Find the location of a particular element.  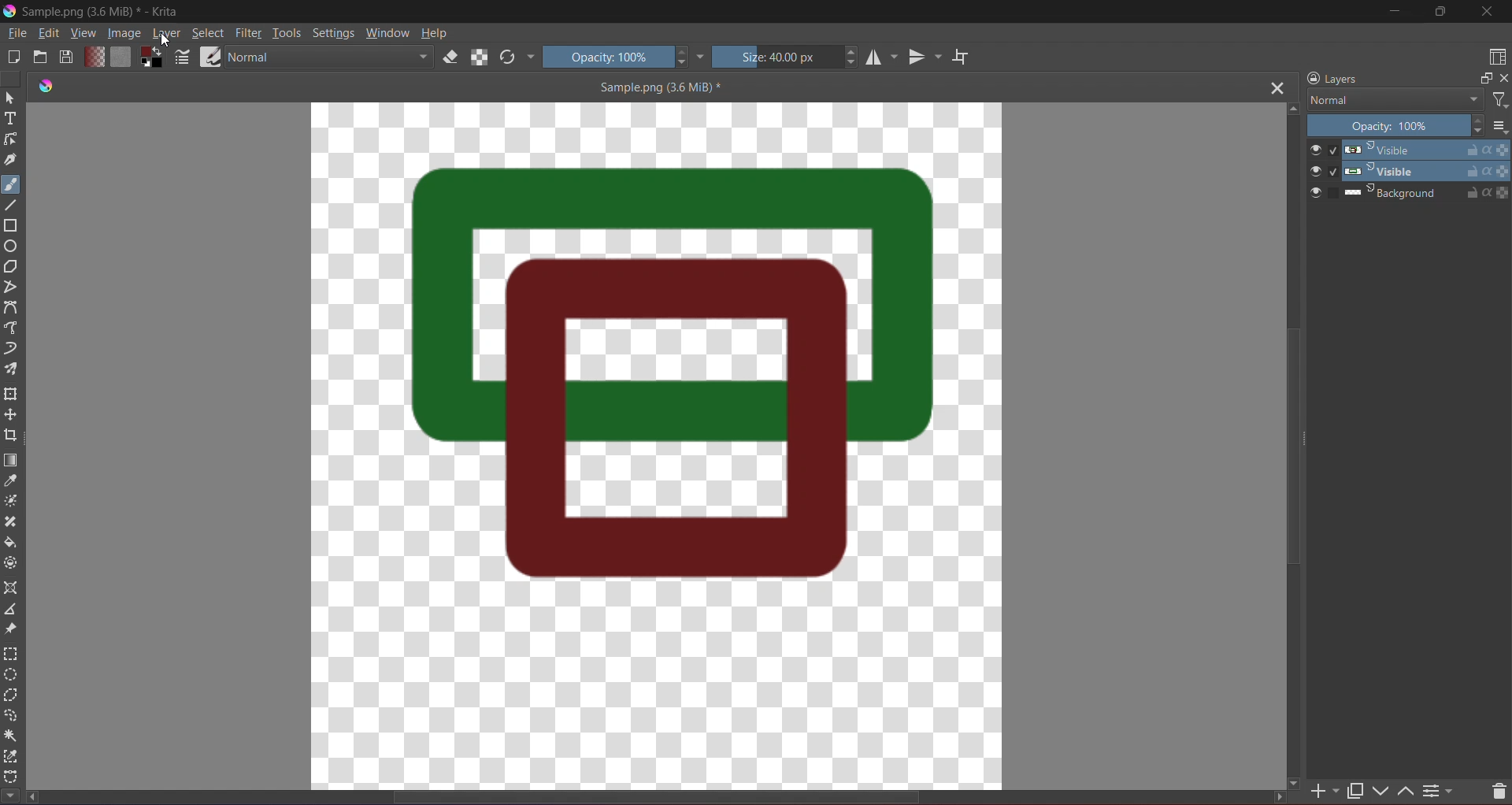

Duplicate is located at coordinates (1354, 788).